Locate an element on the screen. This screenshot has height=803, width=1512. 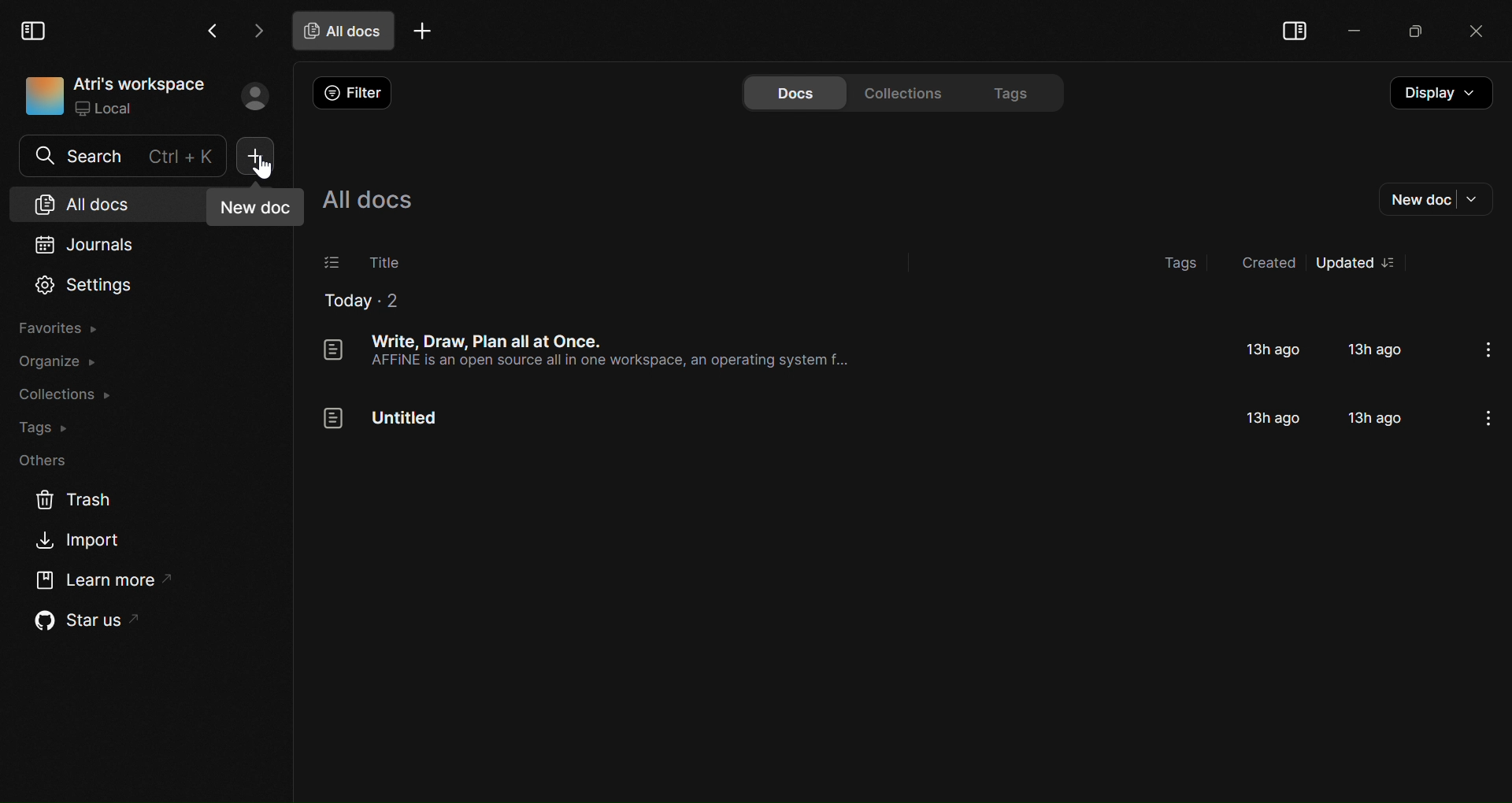
cursor is located at coordinates (265, 168).